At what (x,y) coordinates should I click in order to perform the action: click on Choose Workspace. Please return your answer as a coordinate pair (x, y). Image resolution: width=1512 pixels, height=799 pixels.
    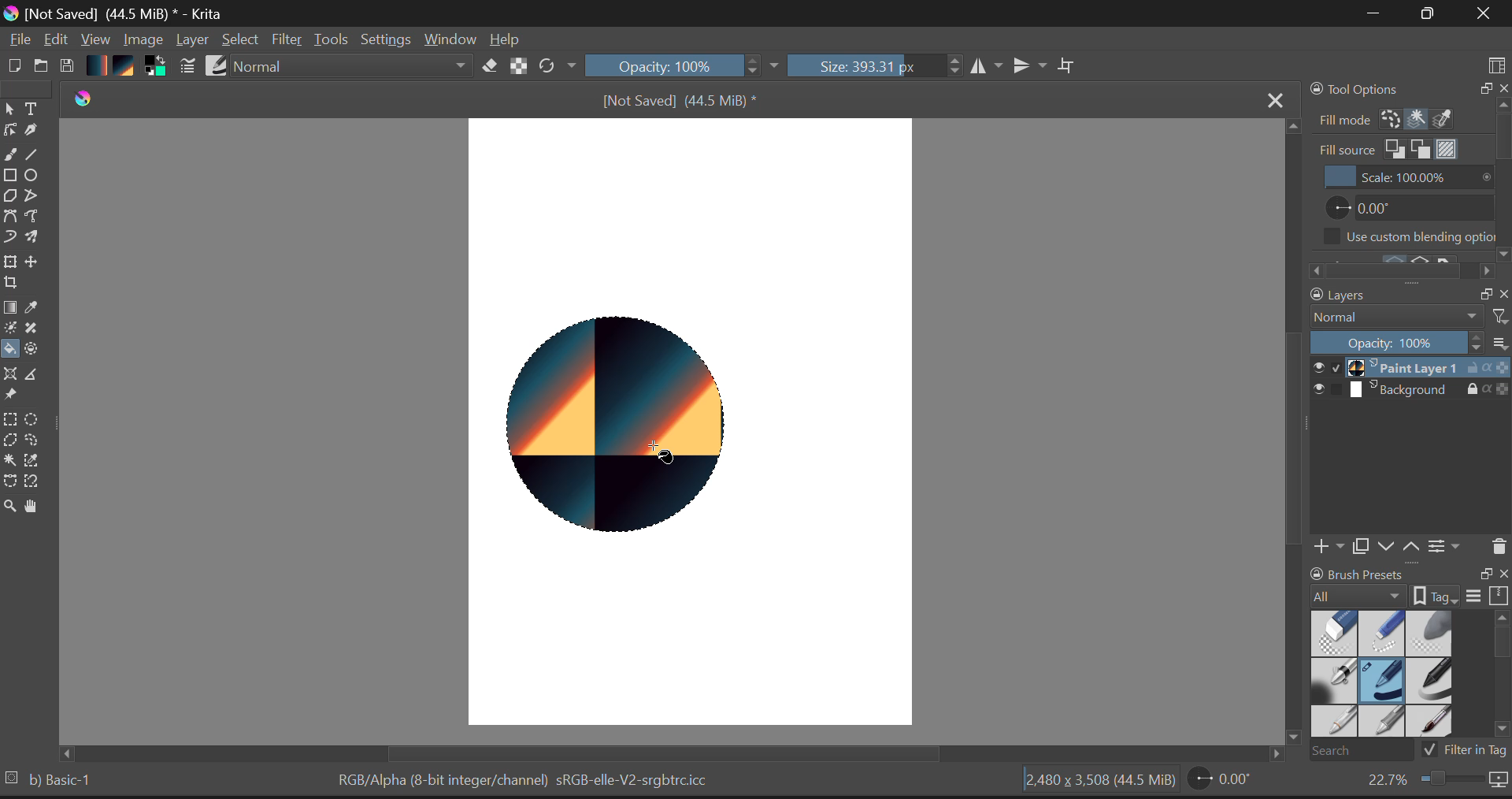
    Looking at the image, I should click on (1496, 60).